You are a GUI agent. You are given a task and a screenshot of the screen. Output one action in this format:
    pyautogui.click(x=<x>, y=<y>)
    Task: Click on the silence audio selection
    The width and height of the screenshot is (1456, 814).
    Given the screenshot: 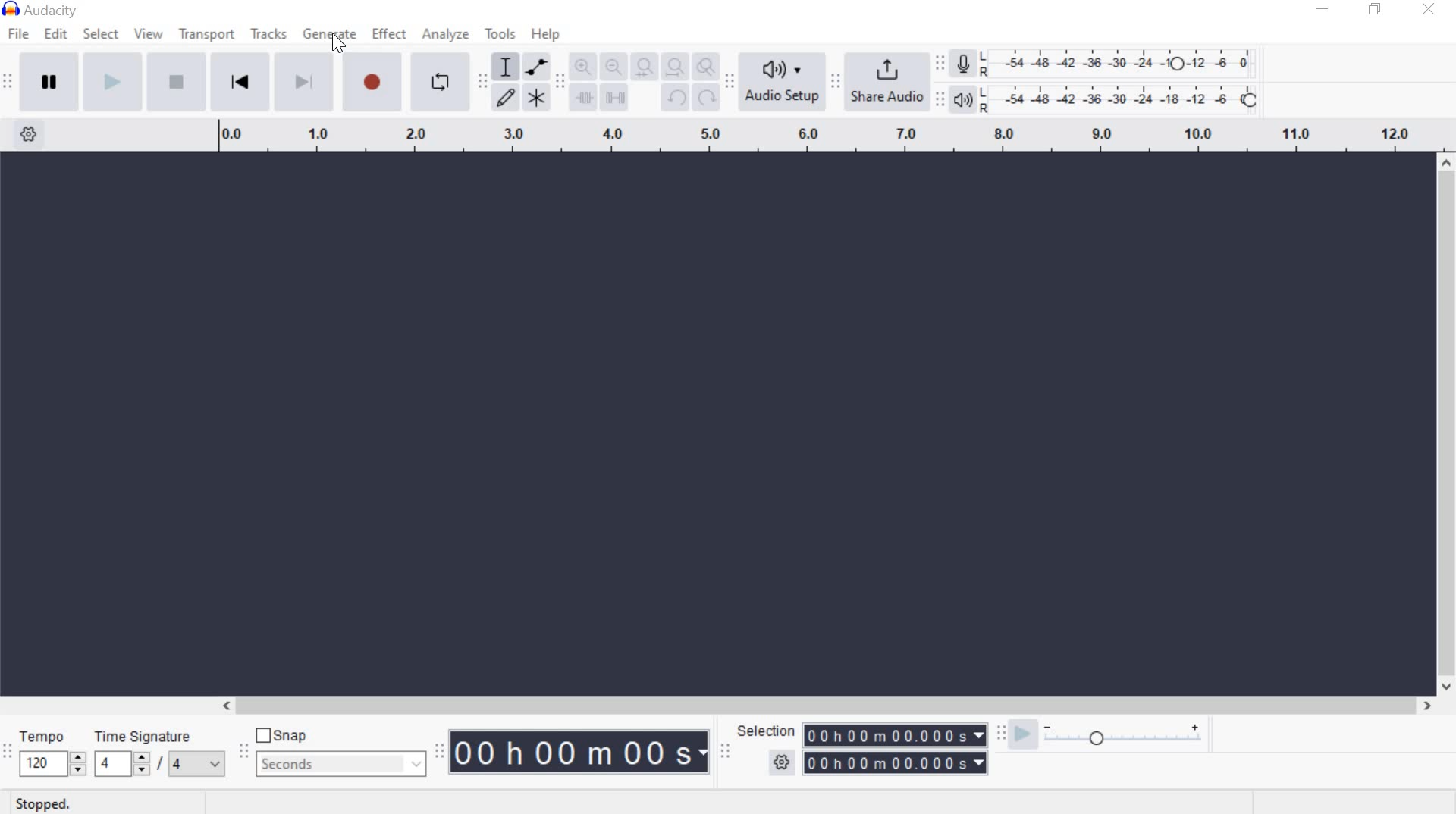 What is the action you would take?
    pyautogui.click(x=613, y=98)
    